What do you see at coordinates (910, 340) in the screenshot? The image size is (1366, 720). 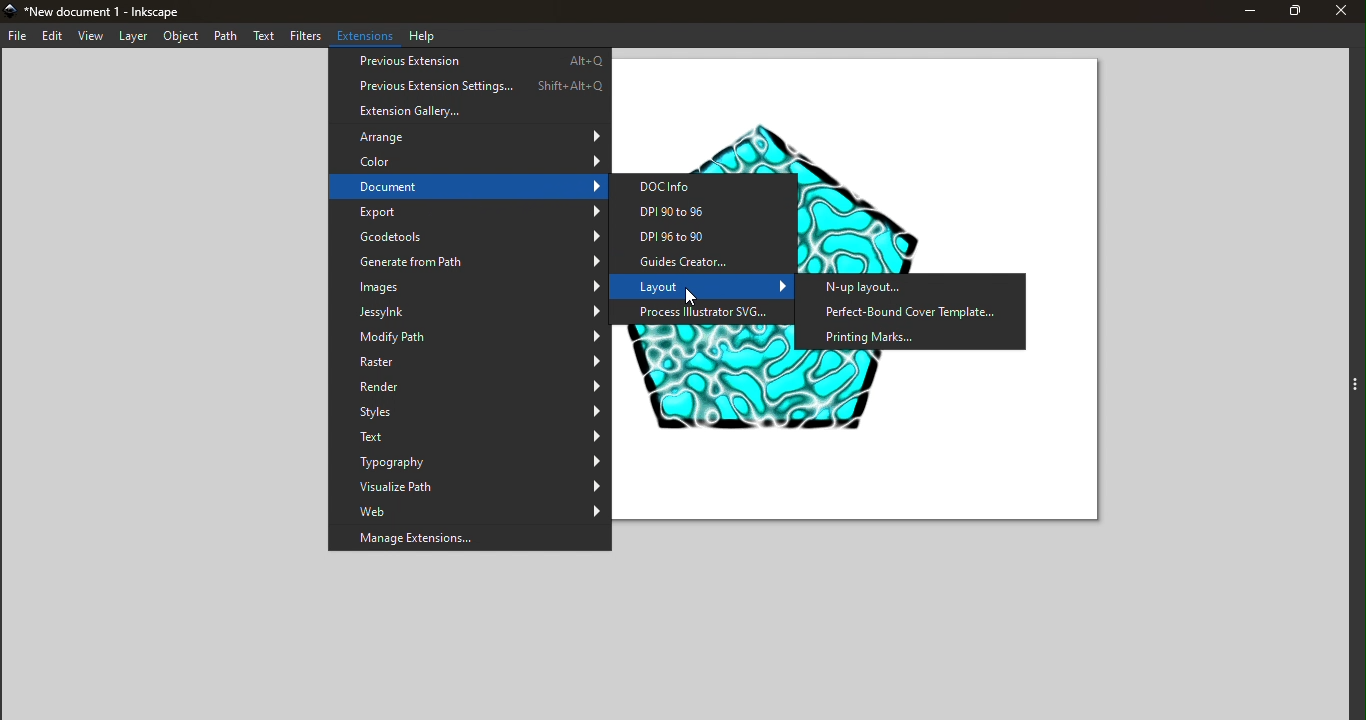 I see `Printing Marks...` at bounding box center [910, 340].